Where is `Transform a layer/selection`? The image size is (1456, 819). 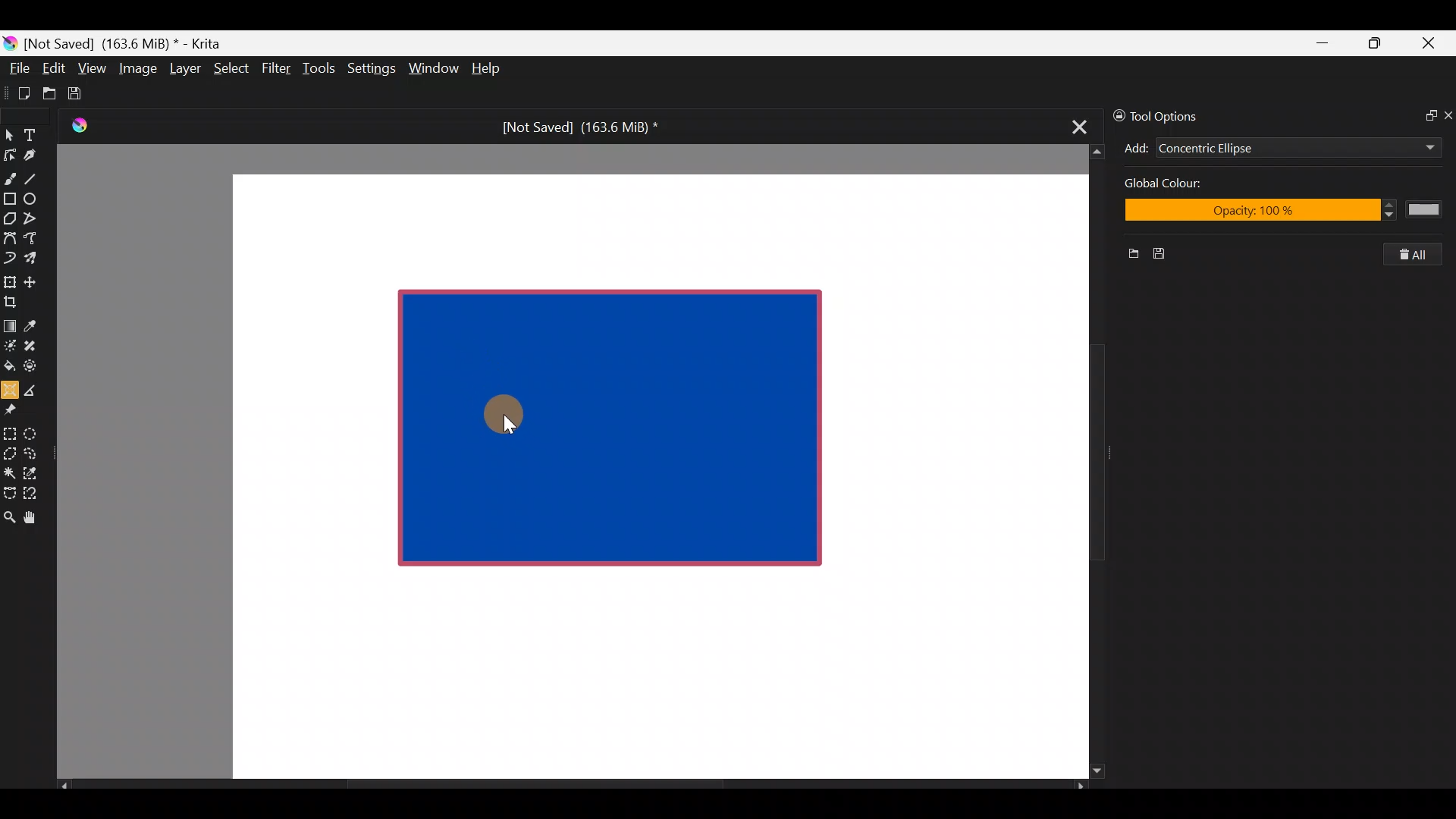
Transform a layer/selection is located at coordinates (9, 279).